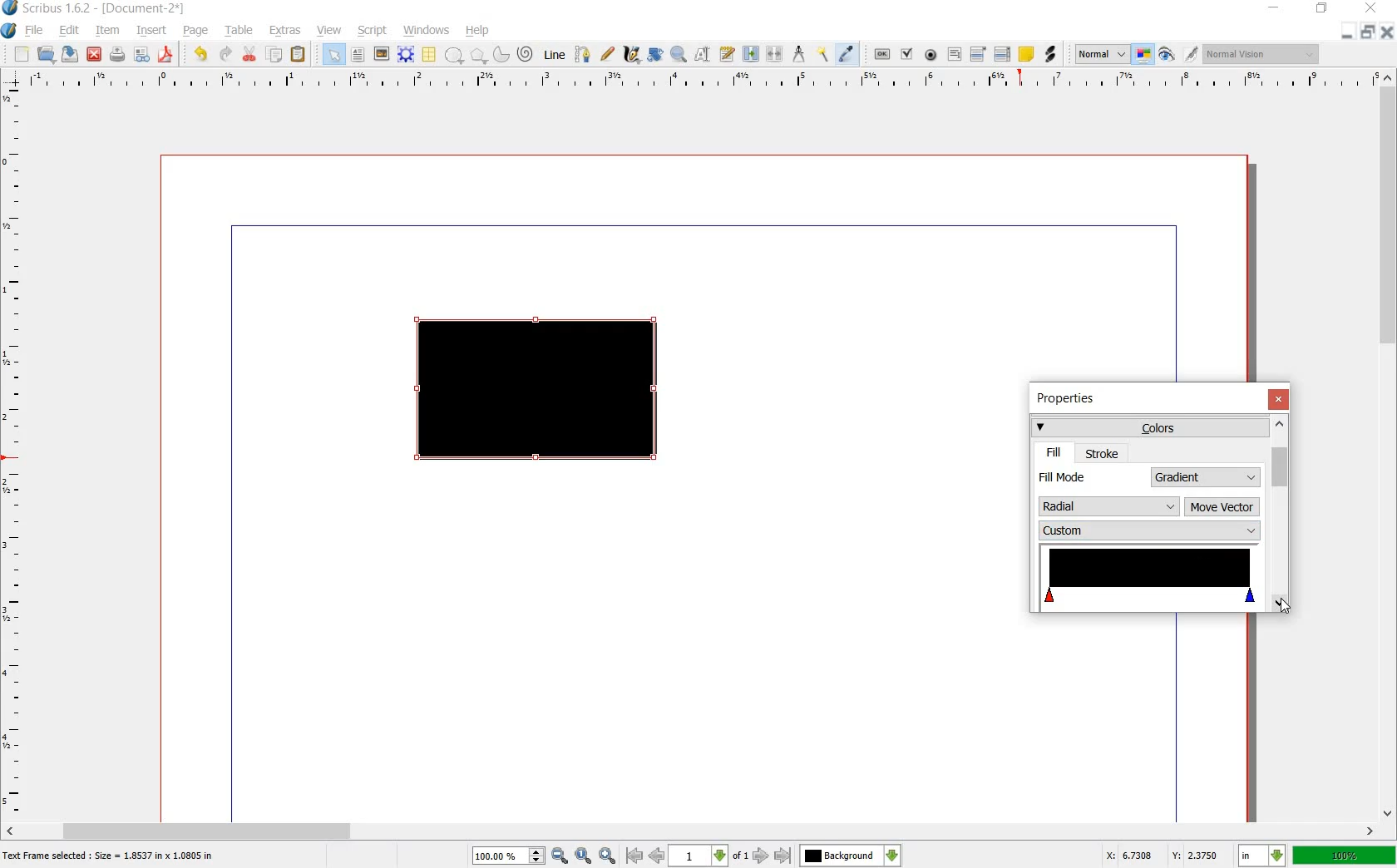  Describe the element at coordinates (537, 856) in the screenshot. I see `Increase or decrease zoom value` at that location.